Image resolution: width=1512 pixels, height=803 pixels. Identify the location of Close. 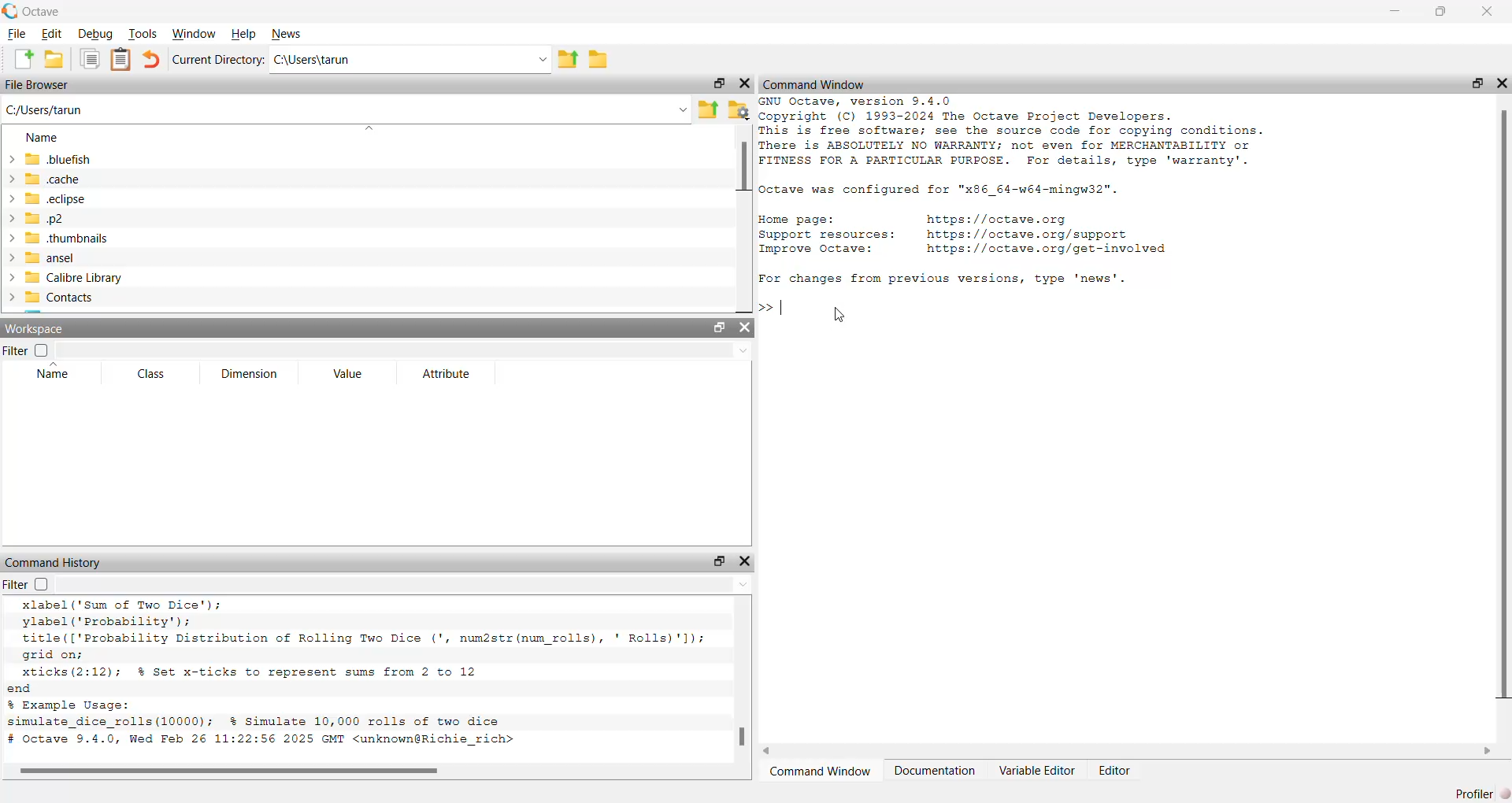
(747, 83).